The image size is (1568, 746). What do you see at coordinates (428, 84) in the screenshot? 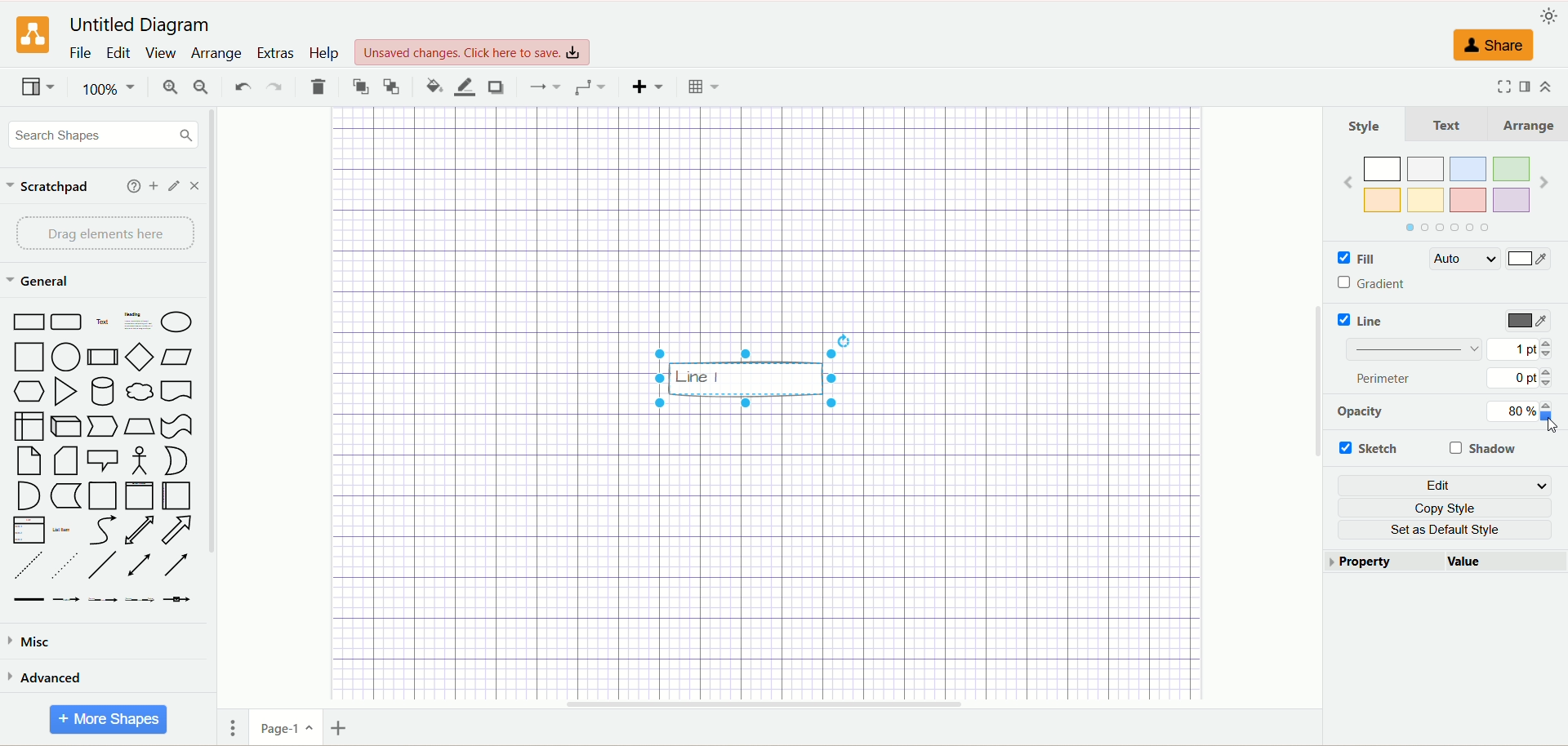
I see `fill color` at bounding box center [428, 84].